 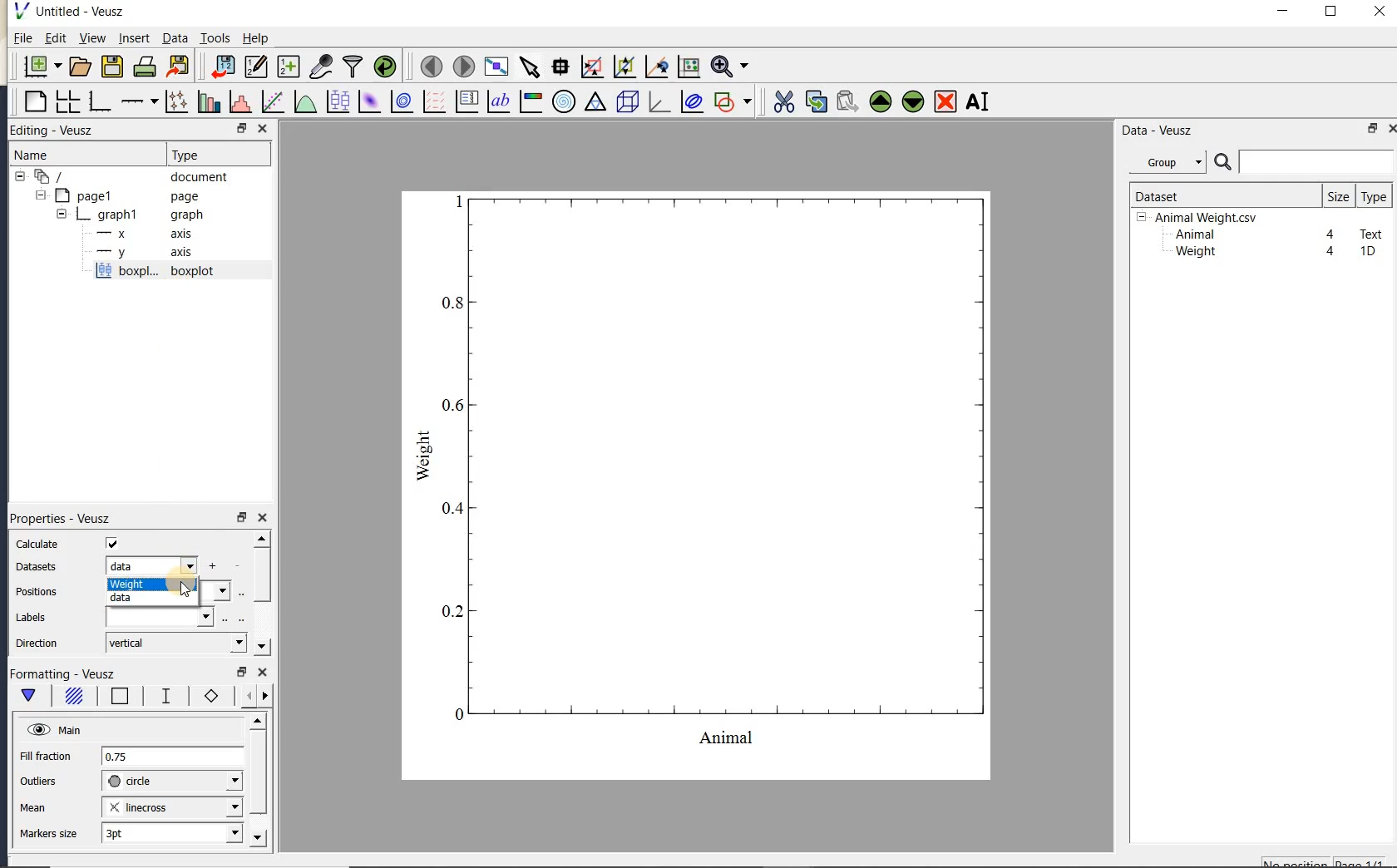 What do you see at coordinates (209, 101) in the screenshot?
I see `plot bar charts` at bounding box center [209, 101].